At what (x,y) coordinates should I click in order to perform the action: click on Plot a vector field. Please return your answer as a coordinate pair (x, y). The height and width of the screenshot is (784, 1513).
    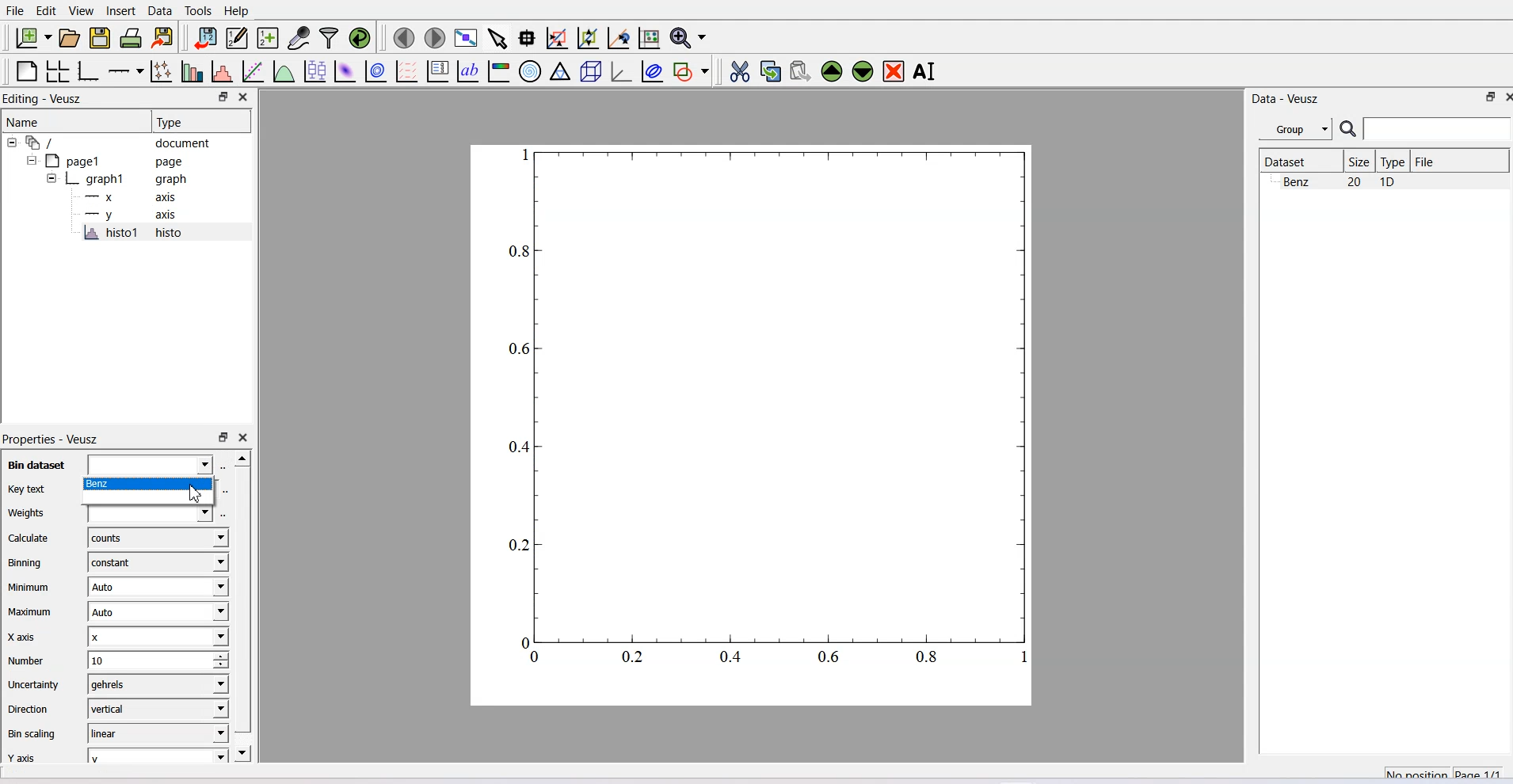
    Looking at the image, I should click on (407, 71).